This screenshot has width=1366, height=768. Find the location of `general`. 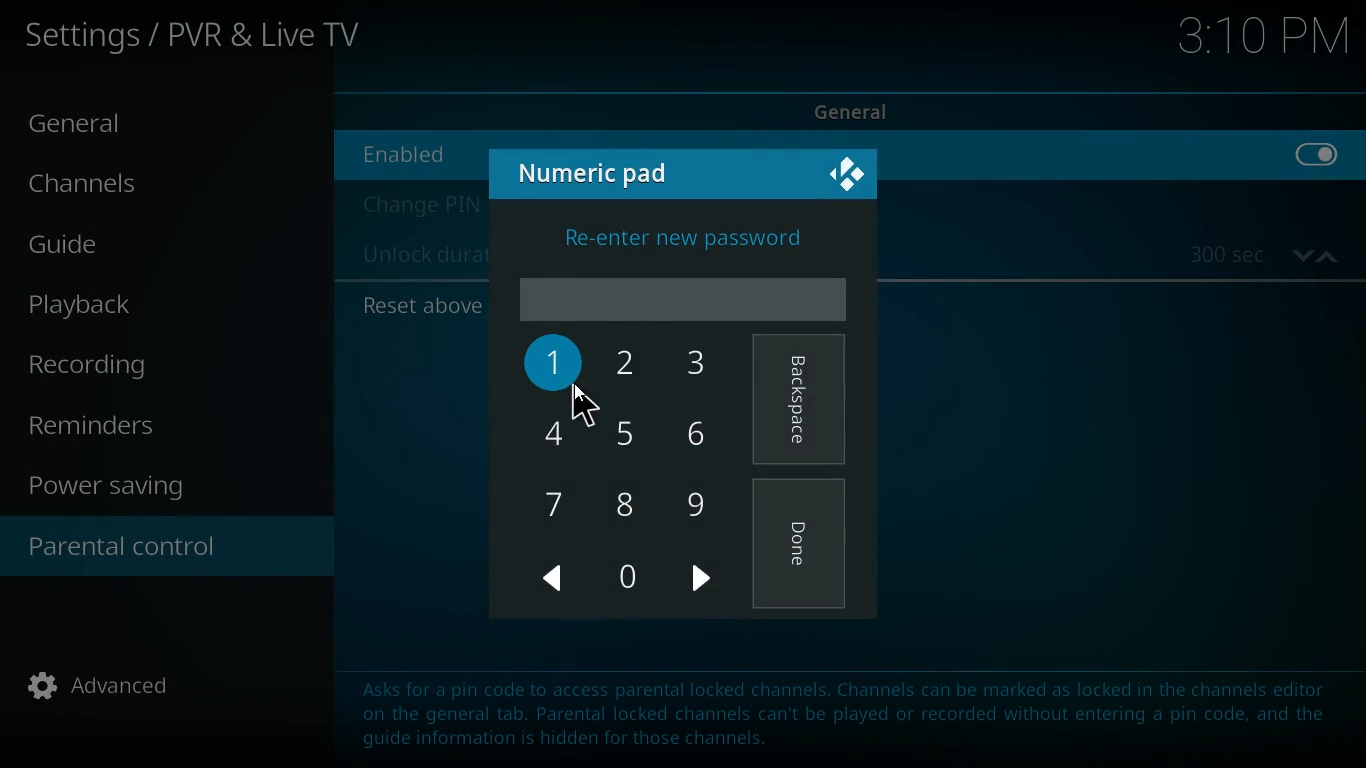

general is located at coordinates (868, 109).